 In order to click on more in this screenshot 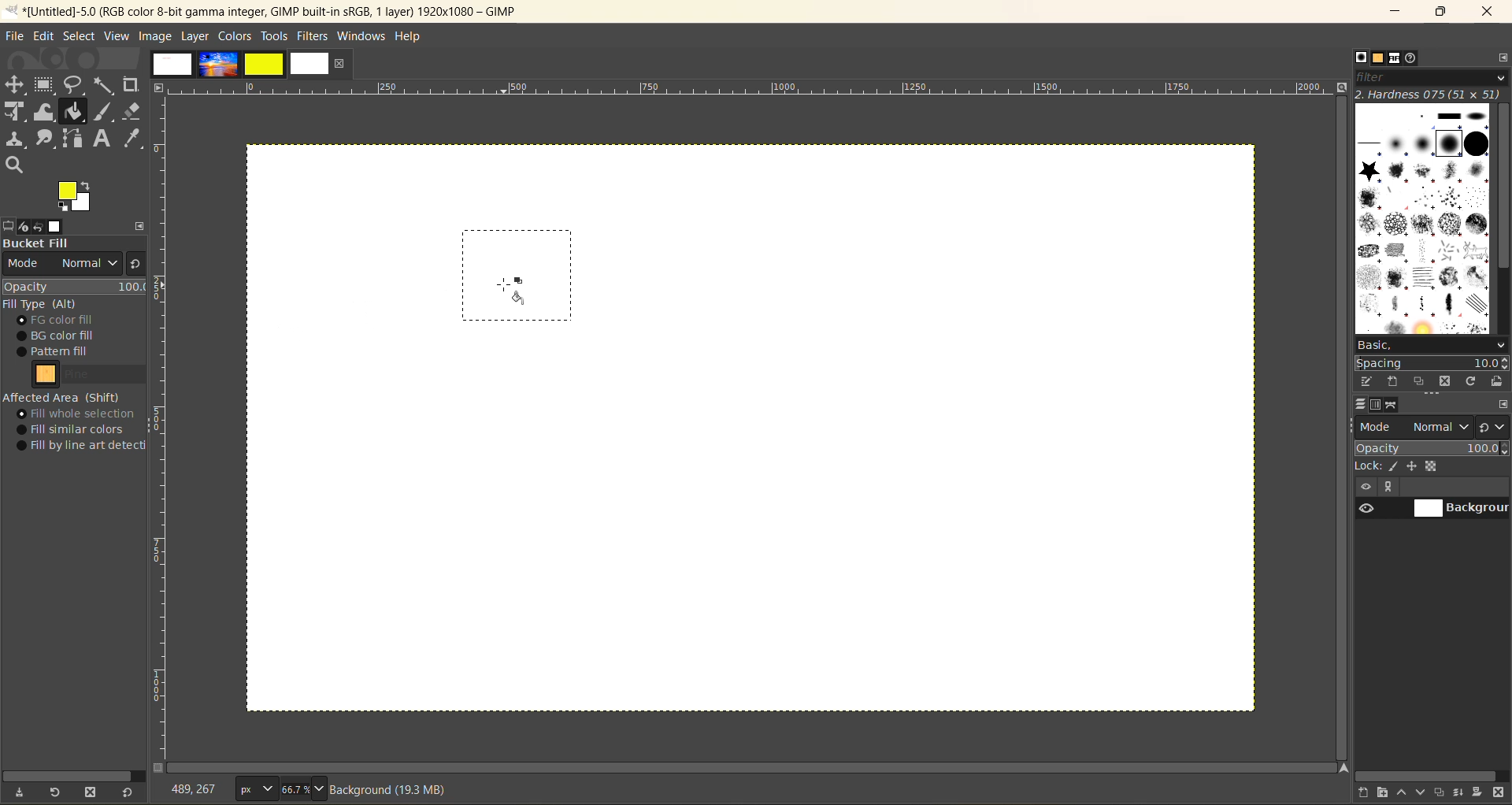, I will do `click(1393, 488)`.